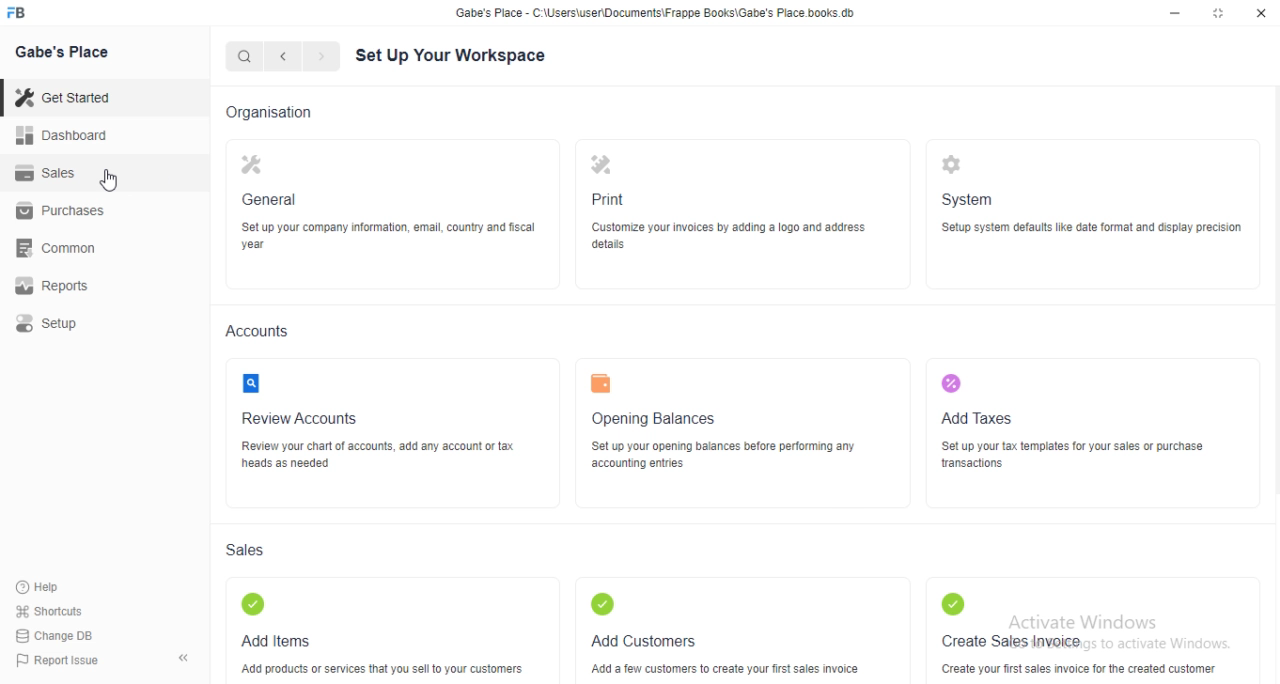 This screenshot has width=1280, height=684. What do you see at coordinates (743, 235) in the screenshot?
I see `Customize your invoices by adding a logo and address details` at bounding box center [743, 235].